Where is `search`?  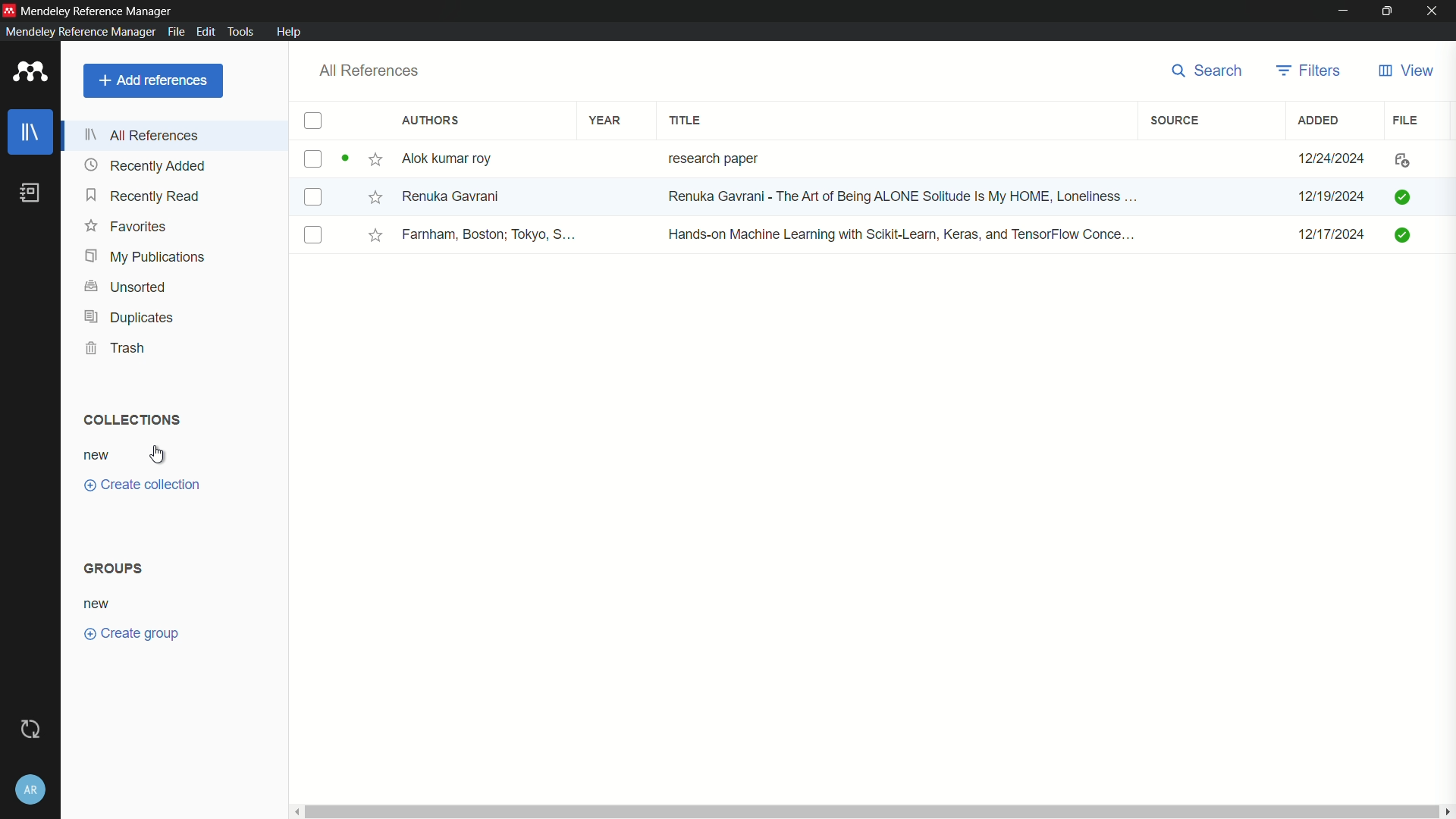
search is located at coordinates (1210, 71).